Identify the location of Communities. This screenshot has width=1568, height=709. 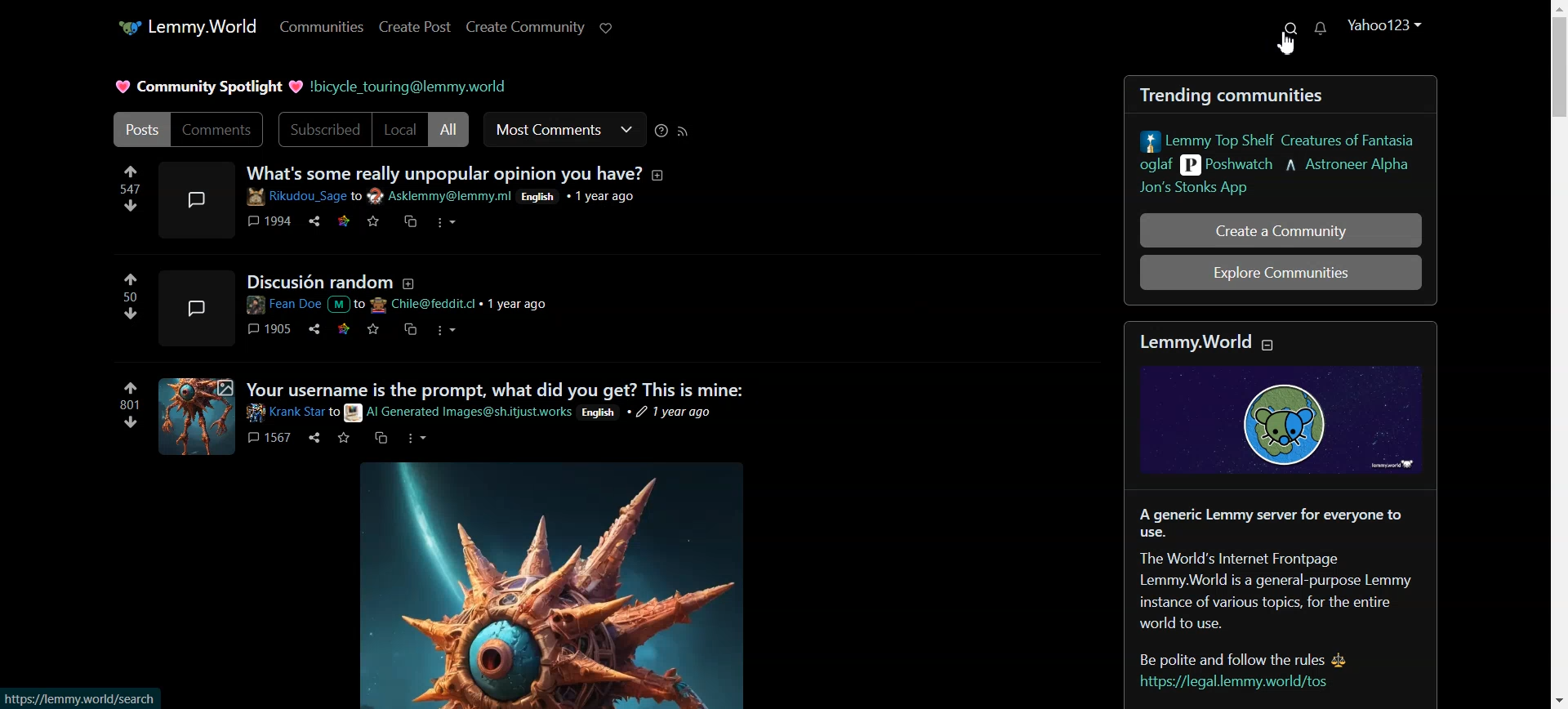
(322, 27).